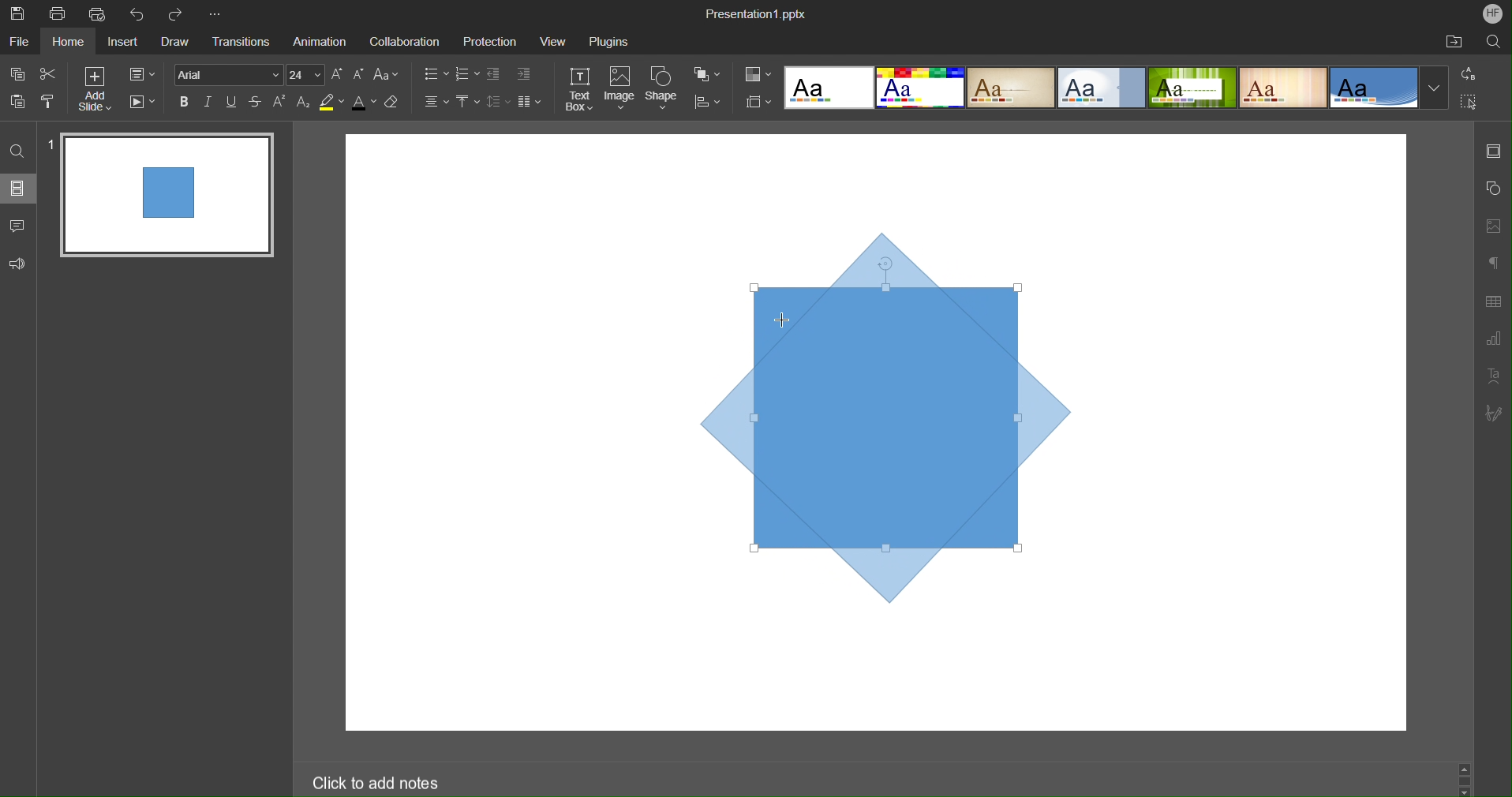  What do you see at coordinates (174, 39) in the screenshot?
I see `Draw` at bounding box center [174, 39].